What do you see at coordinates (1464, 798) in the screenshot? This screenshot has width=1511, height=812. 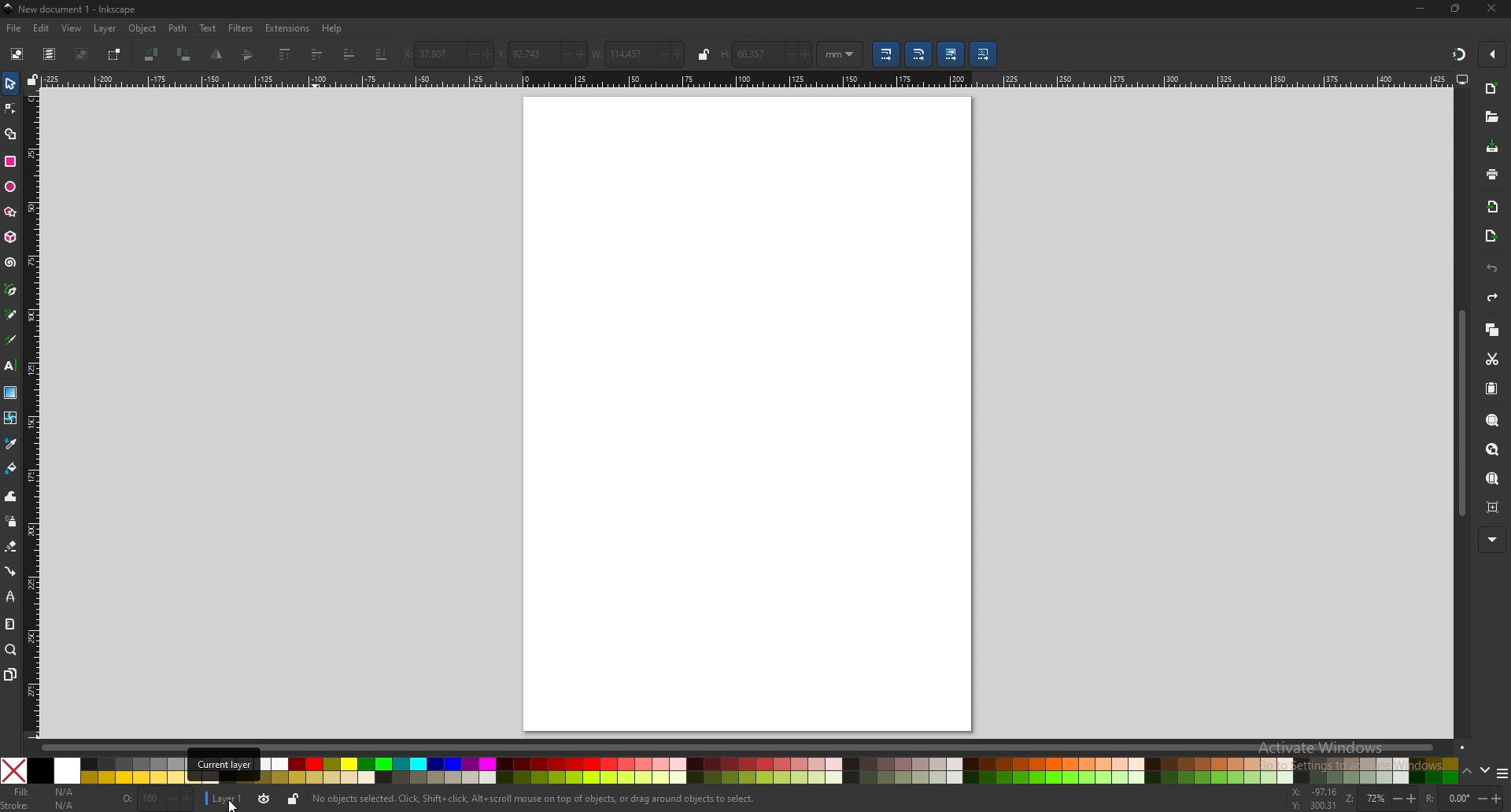 I see `rotate` at bounding box center [1464, 798].